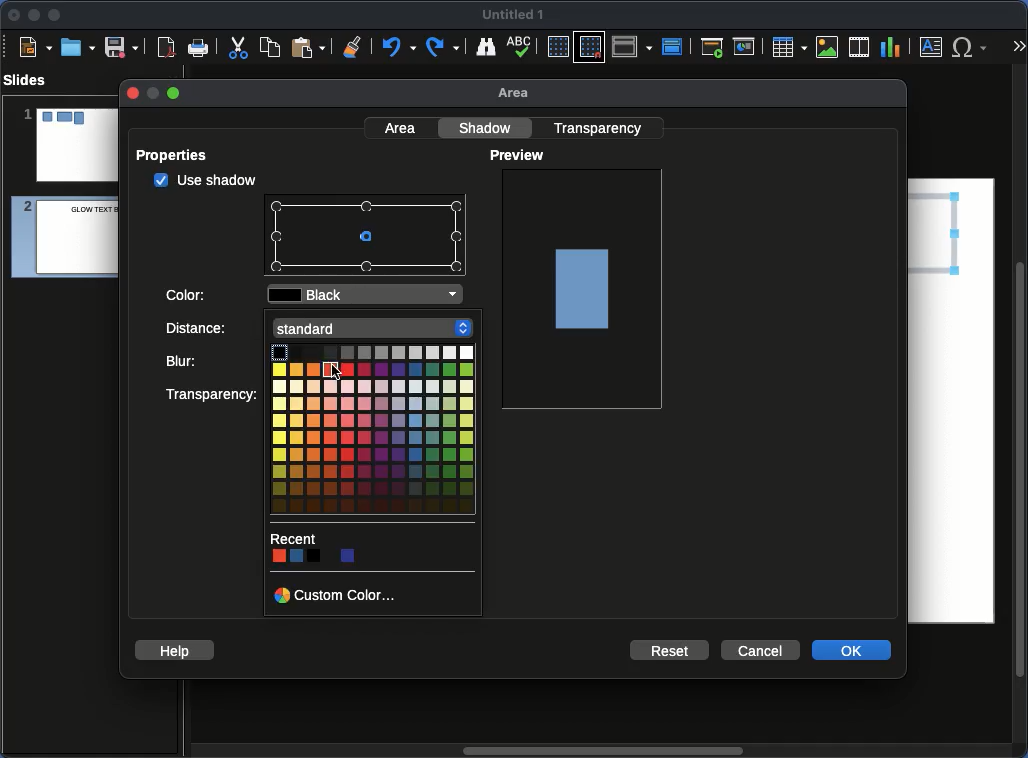 The width and height of the screenshot is (1028, 758). I want to click on Snap to grid, so click(592, 46).